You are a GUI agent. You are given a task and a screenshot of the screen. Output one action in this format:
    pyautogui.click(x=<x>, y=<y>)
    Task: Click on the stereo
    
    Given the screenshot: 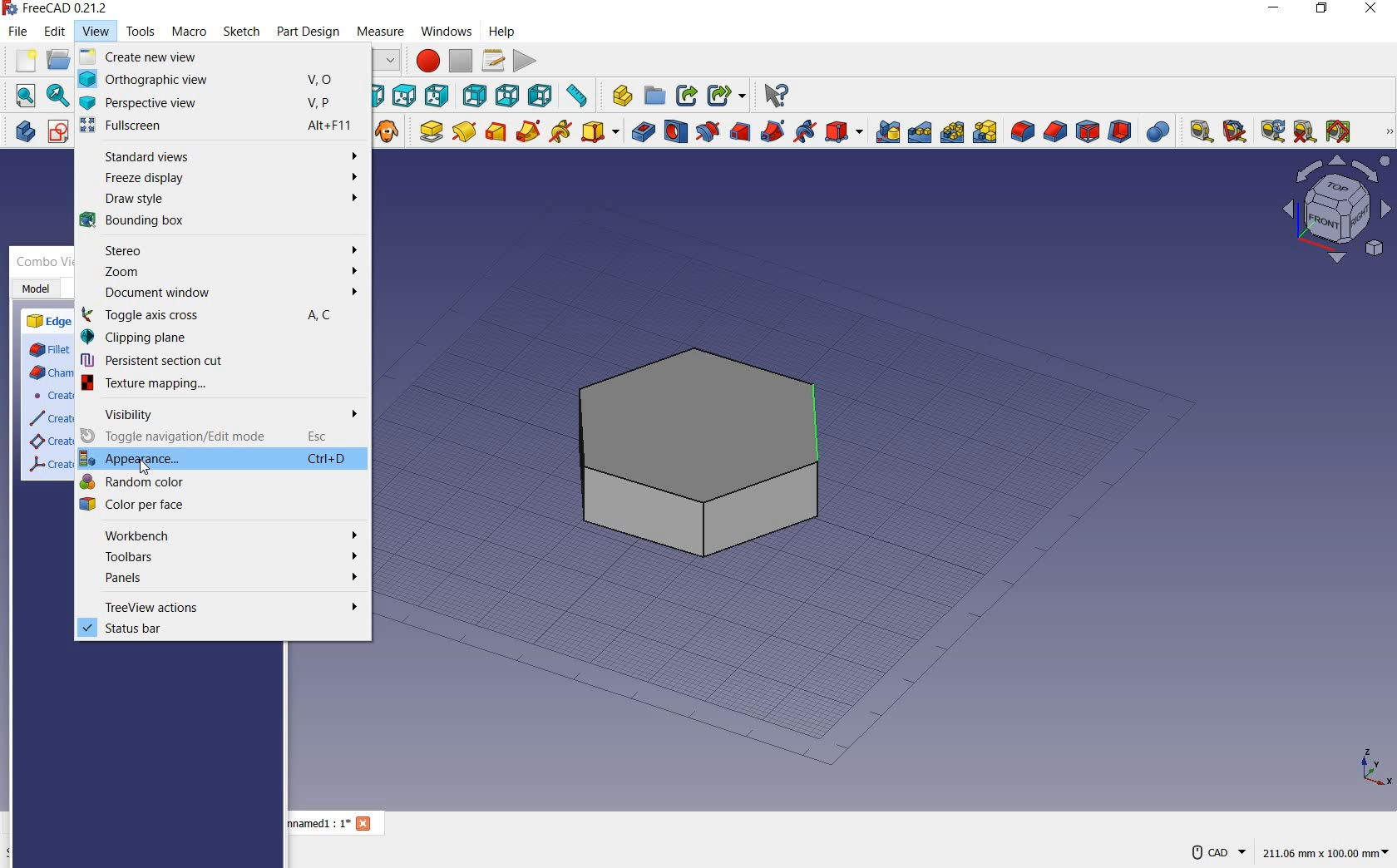 What is the action you would take?
    pyautogui.click(x=228, y=250)
    